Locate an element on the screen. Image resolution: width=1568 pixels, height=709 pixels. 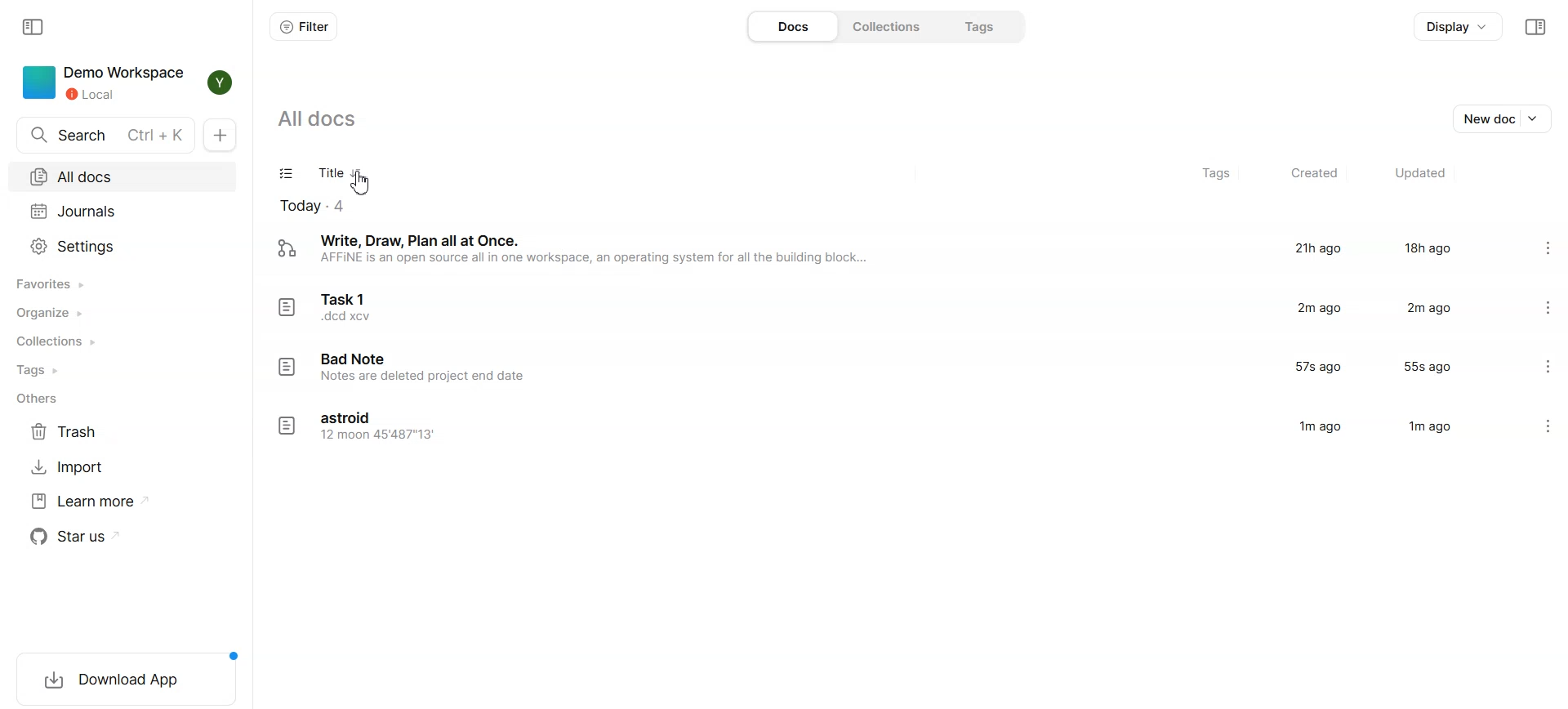
.dcd xcv is located at coordinates (346, 318).